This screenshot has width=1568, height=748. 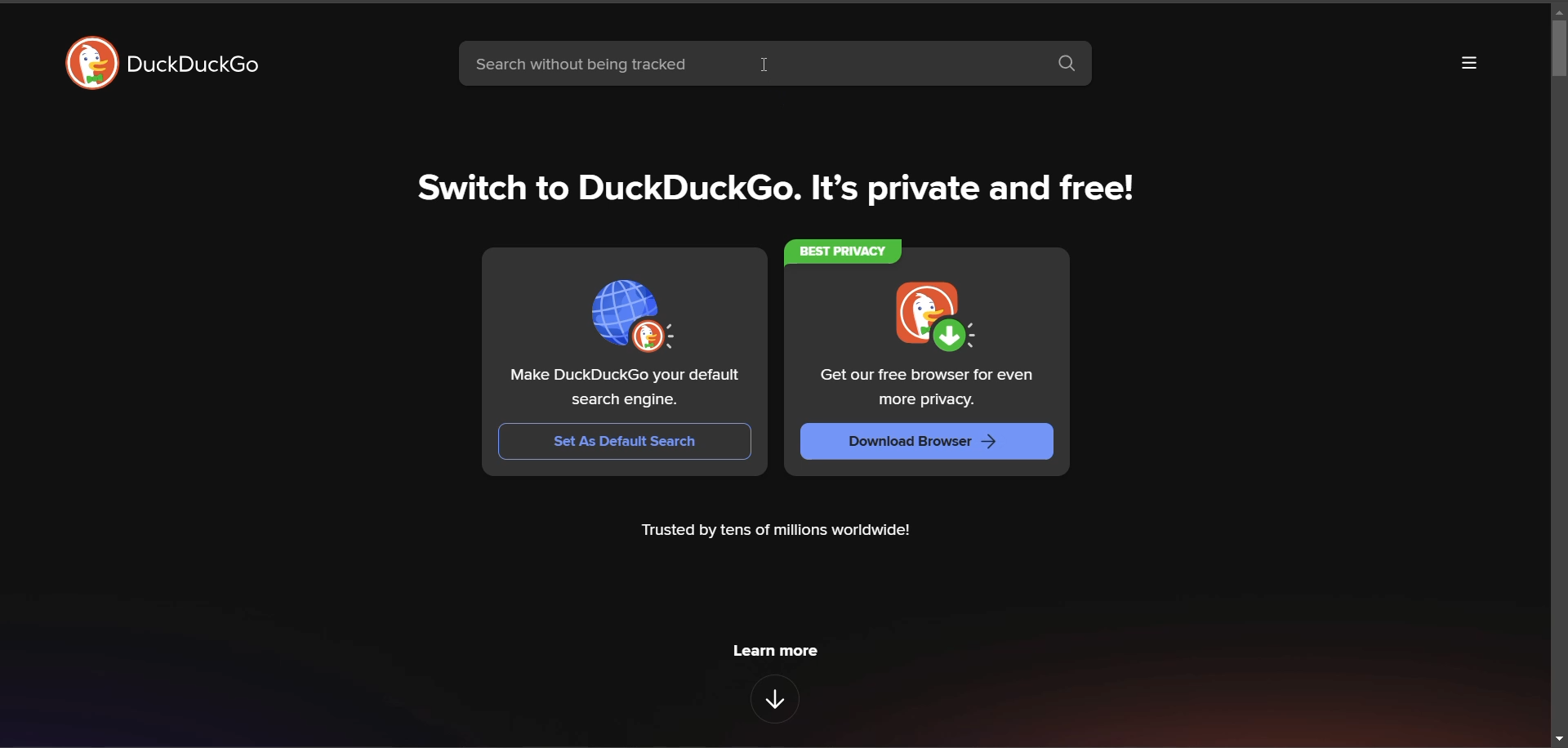 I want to click on Switch to DuckDuckGo. It’s private and free!, so click(x=773, y=183).